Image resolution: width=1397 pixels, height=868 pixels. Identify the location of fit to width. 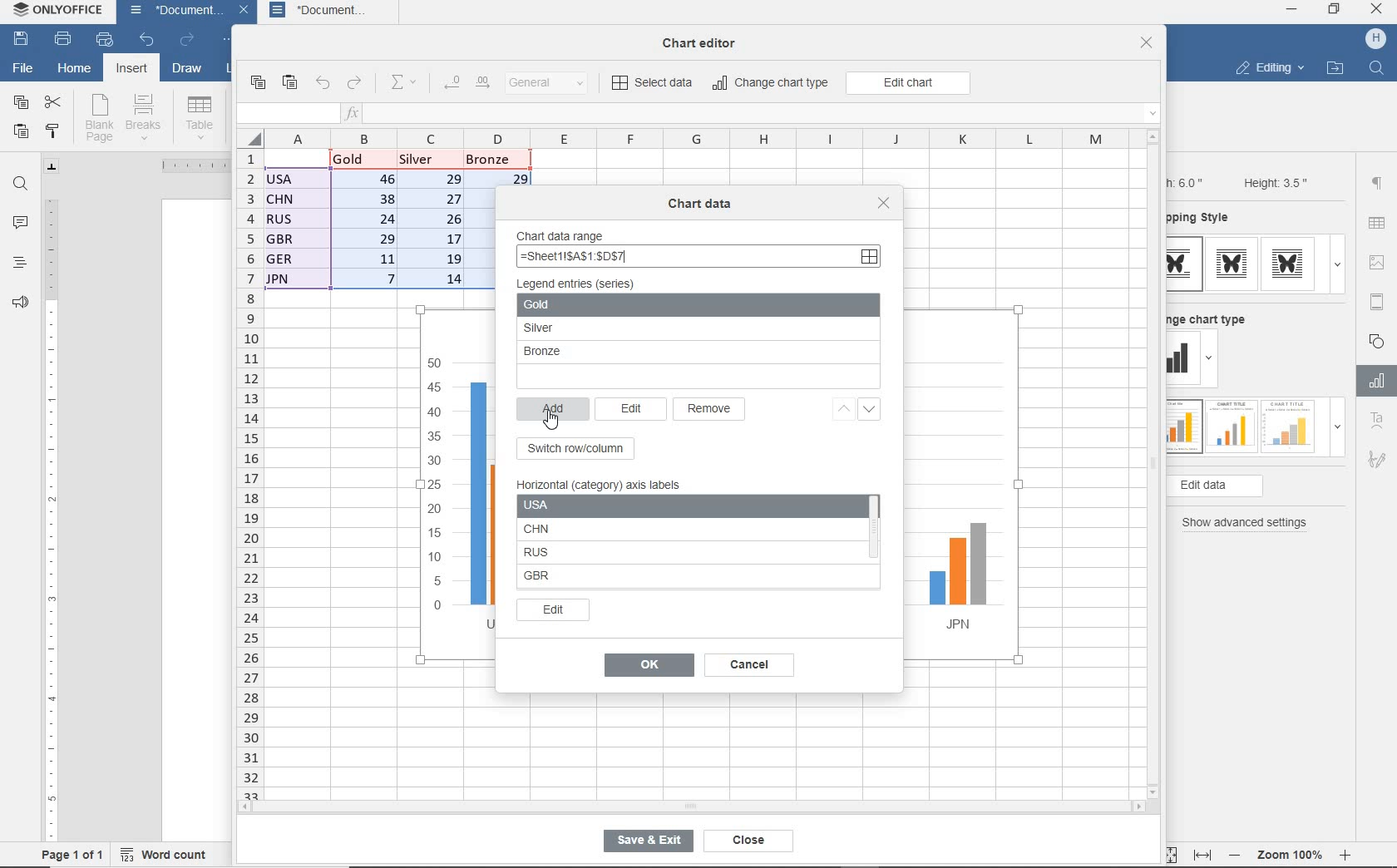
(1202, 855).